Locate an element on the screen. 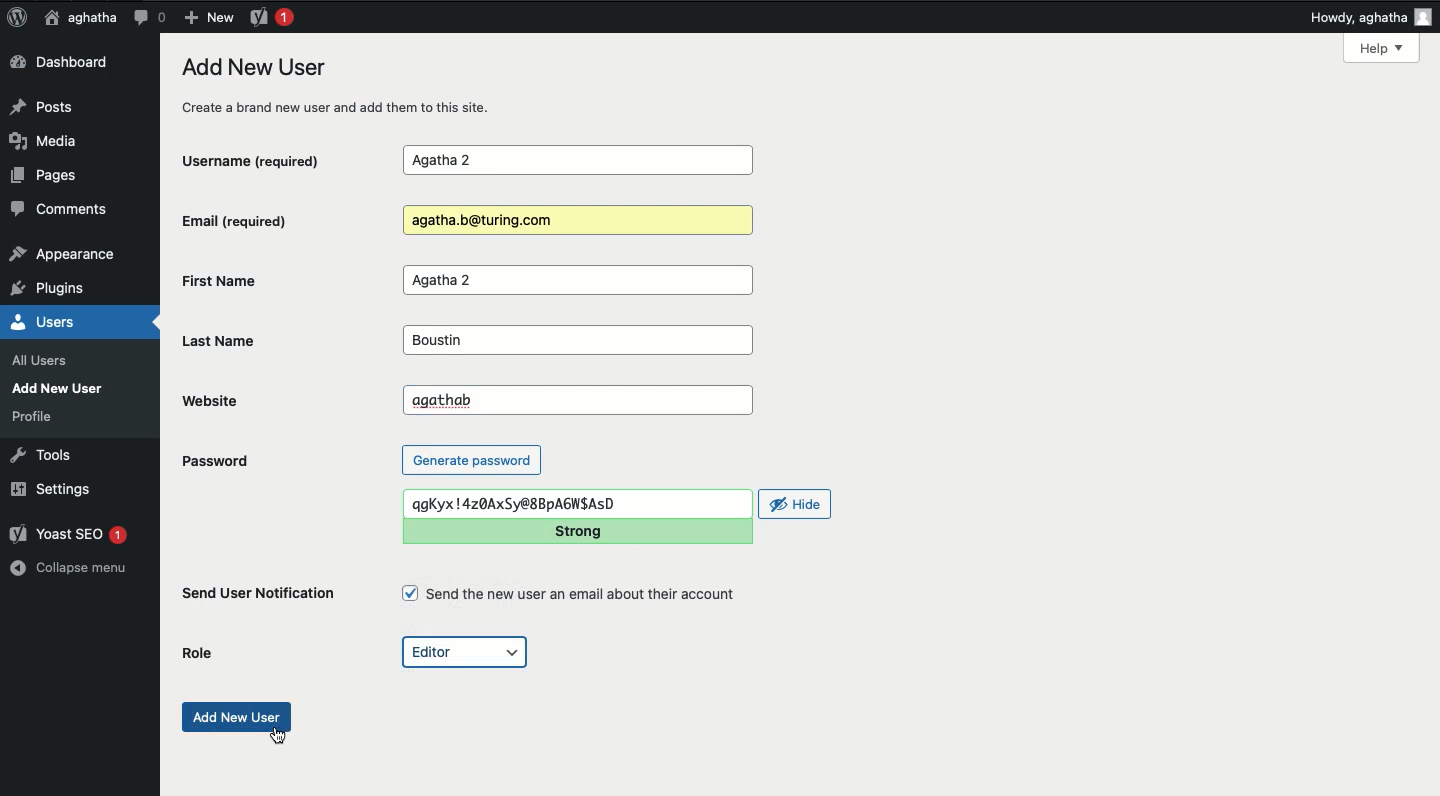 Image resolution: width=1440 pixels, height=796 pixels. Comments is located at coordinates (61, 212).